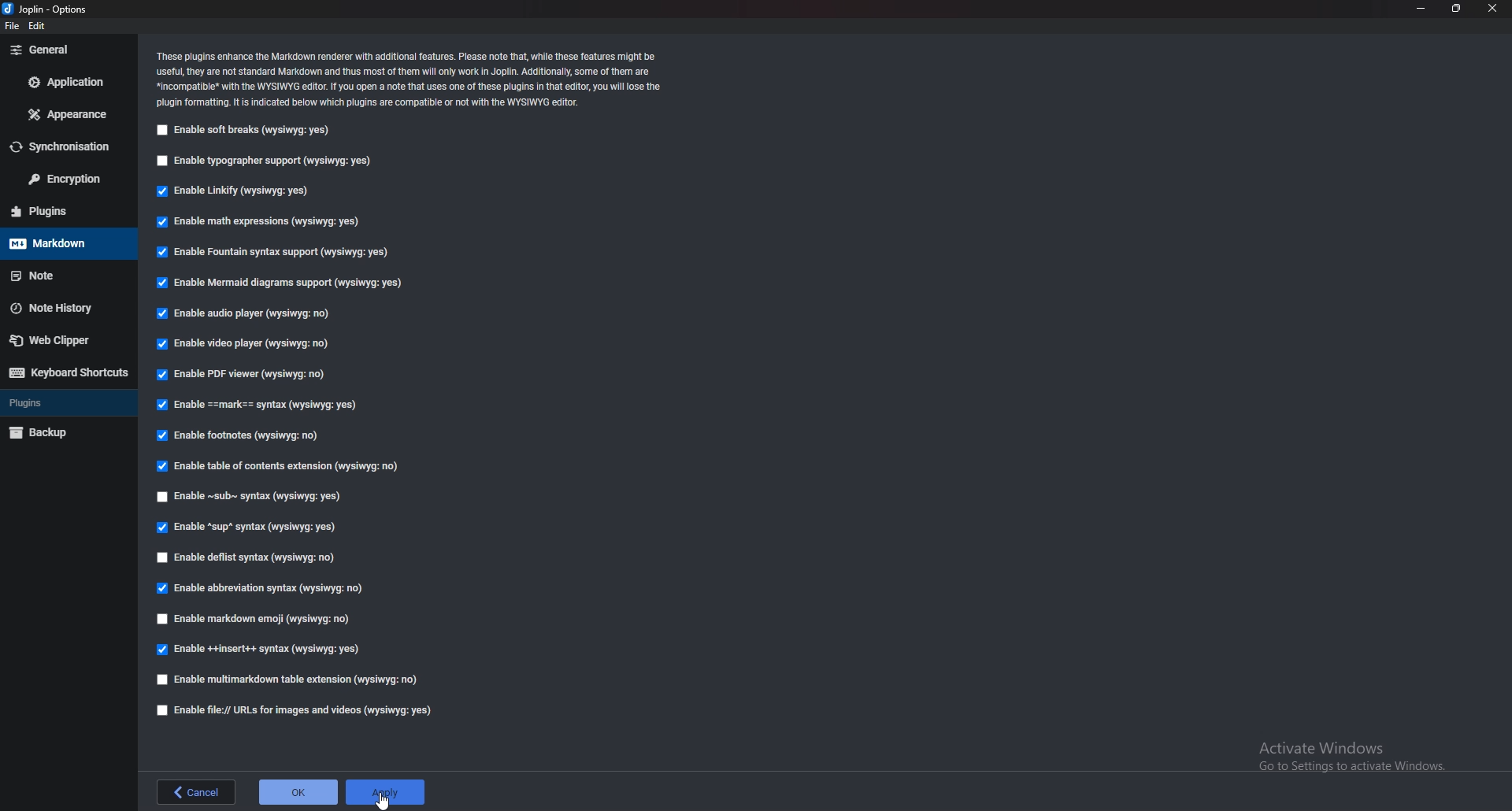 This screenshot has width=1512, height=811. I want to click on Appearance, so click(64, 114).